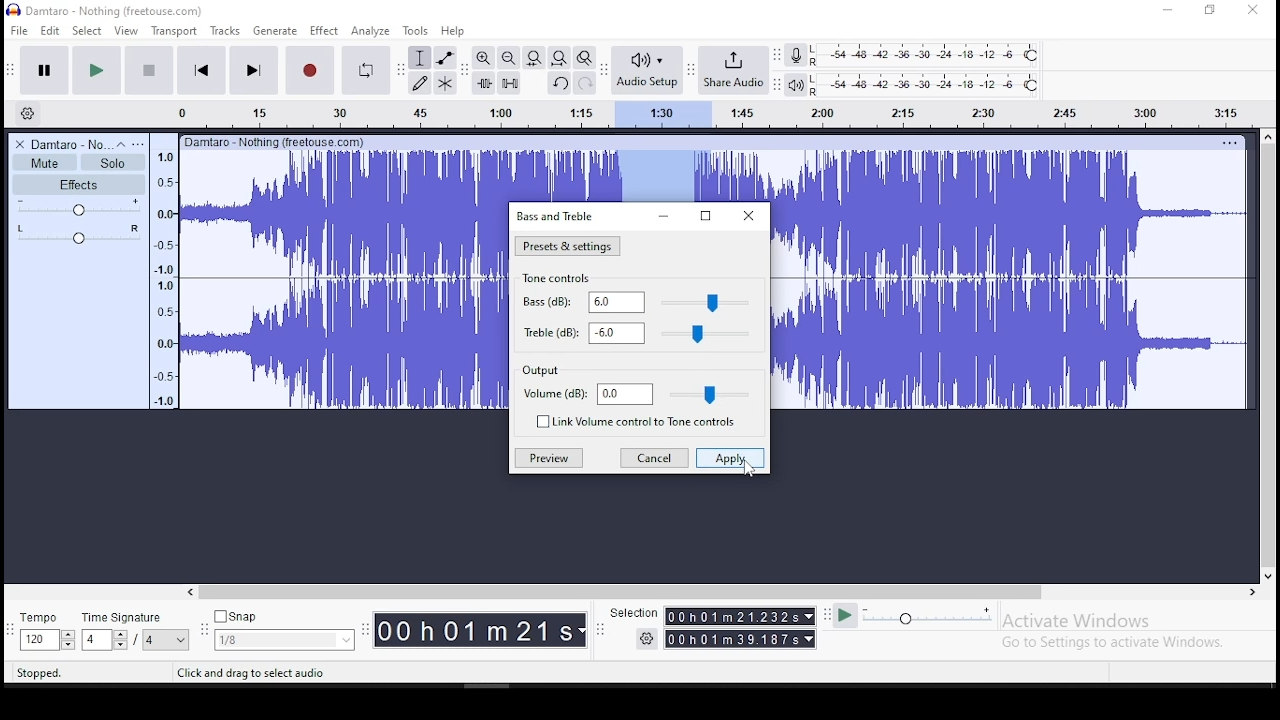 The image size is (1280, 720). I want to click on zoom in, so click(484, 57).